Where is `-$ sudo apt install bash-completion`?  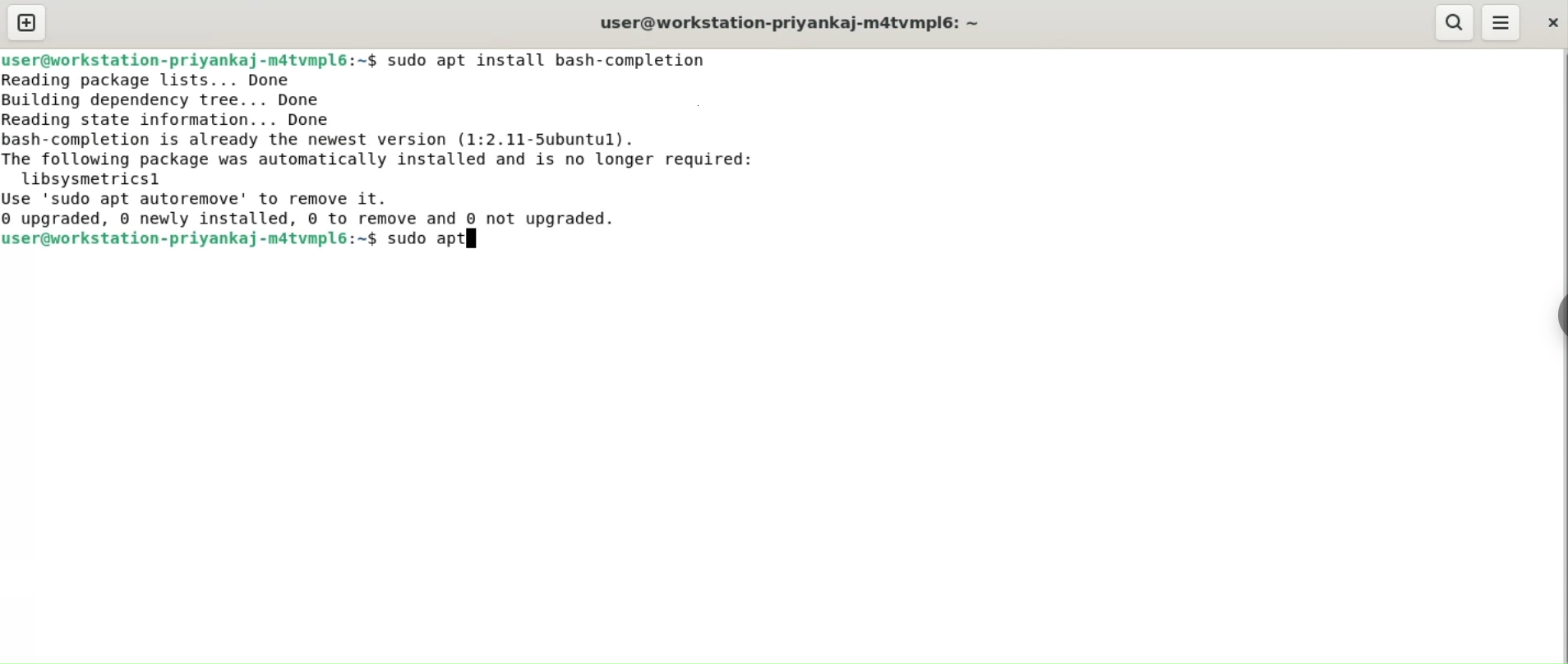
-$ sudo apt install bash-completion is located at coordinates (541, 62).